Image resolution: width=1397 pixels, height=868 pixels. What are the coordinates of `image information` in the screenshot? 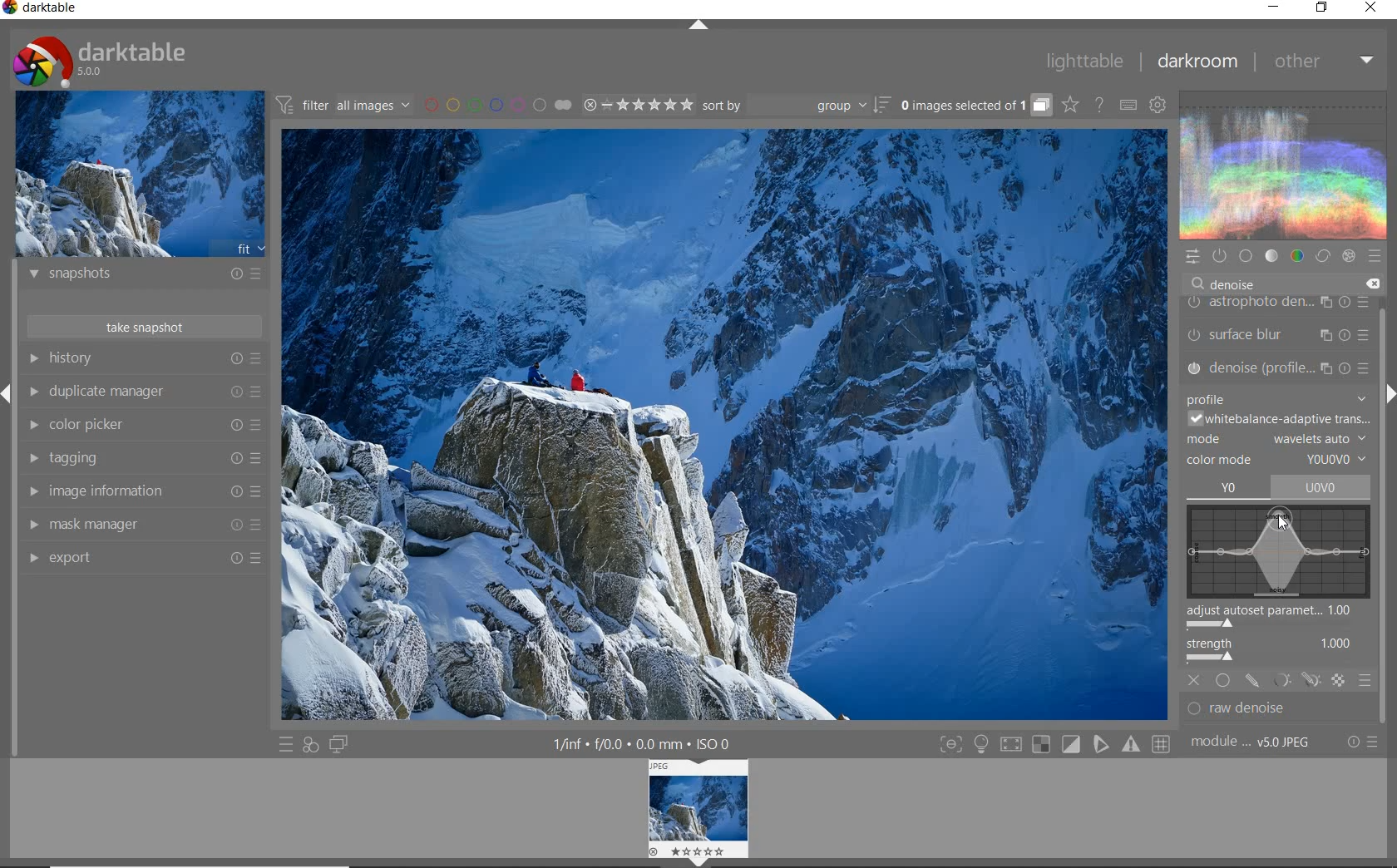 It's located at (143, 491).